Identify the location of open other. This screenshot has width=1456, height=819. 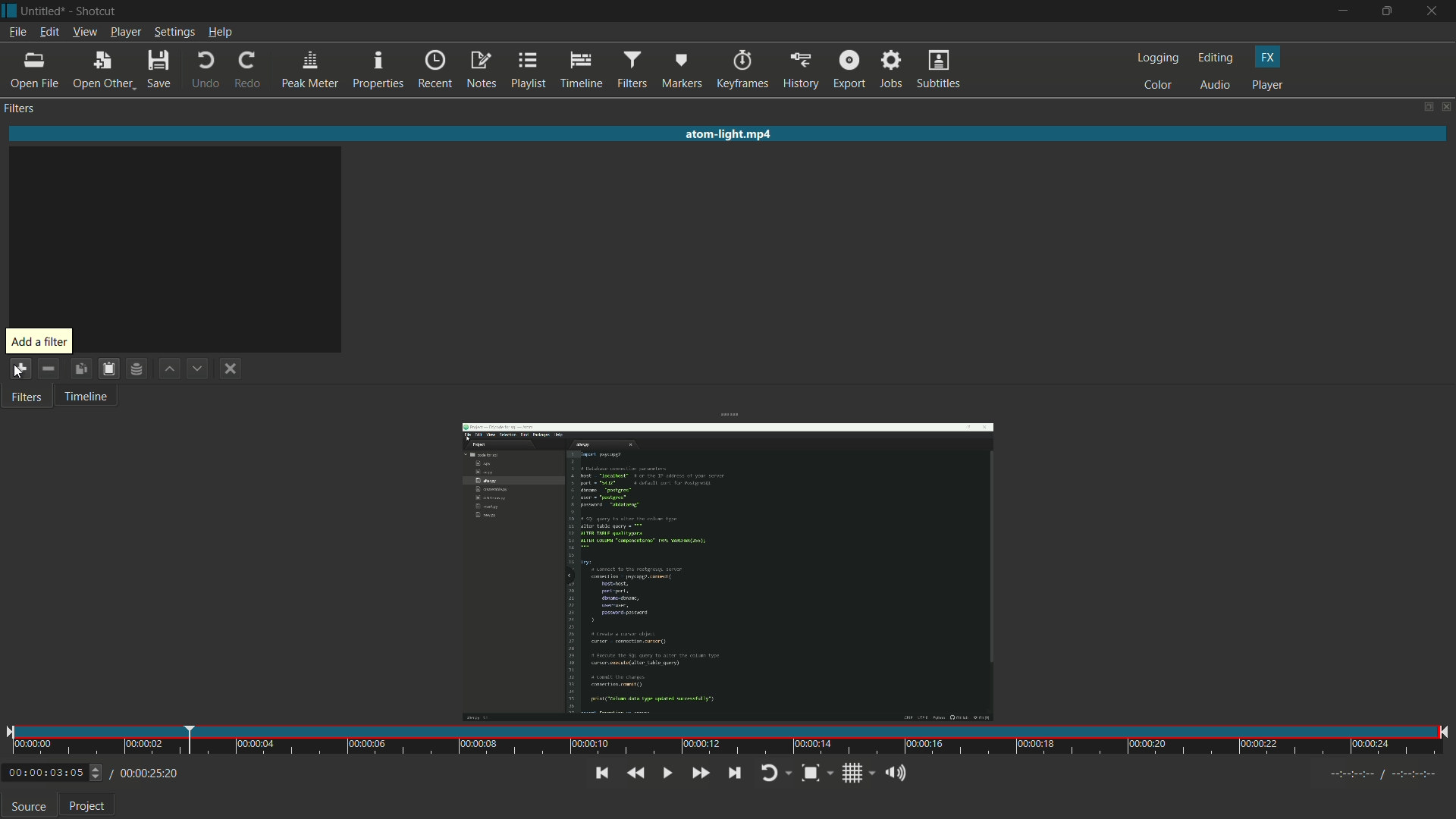
(103, 71).